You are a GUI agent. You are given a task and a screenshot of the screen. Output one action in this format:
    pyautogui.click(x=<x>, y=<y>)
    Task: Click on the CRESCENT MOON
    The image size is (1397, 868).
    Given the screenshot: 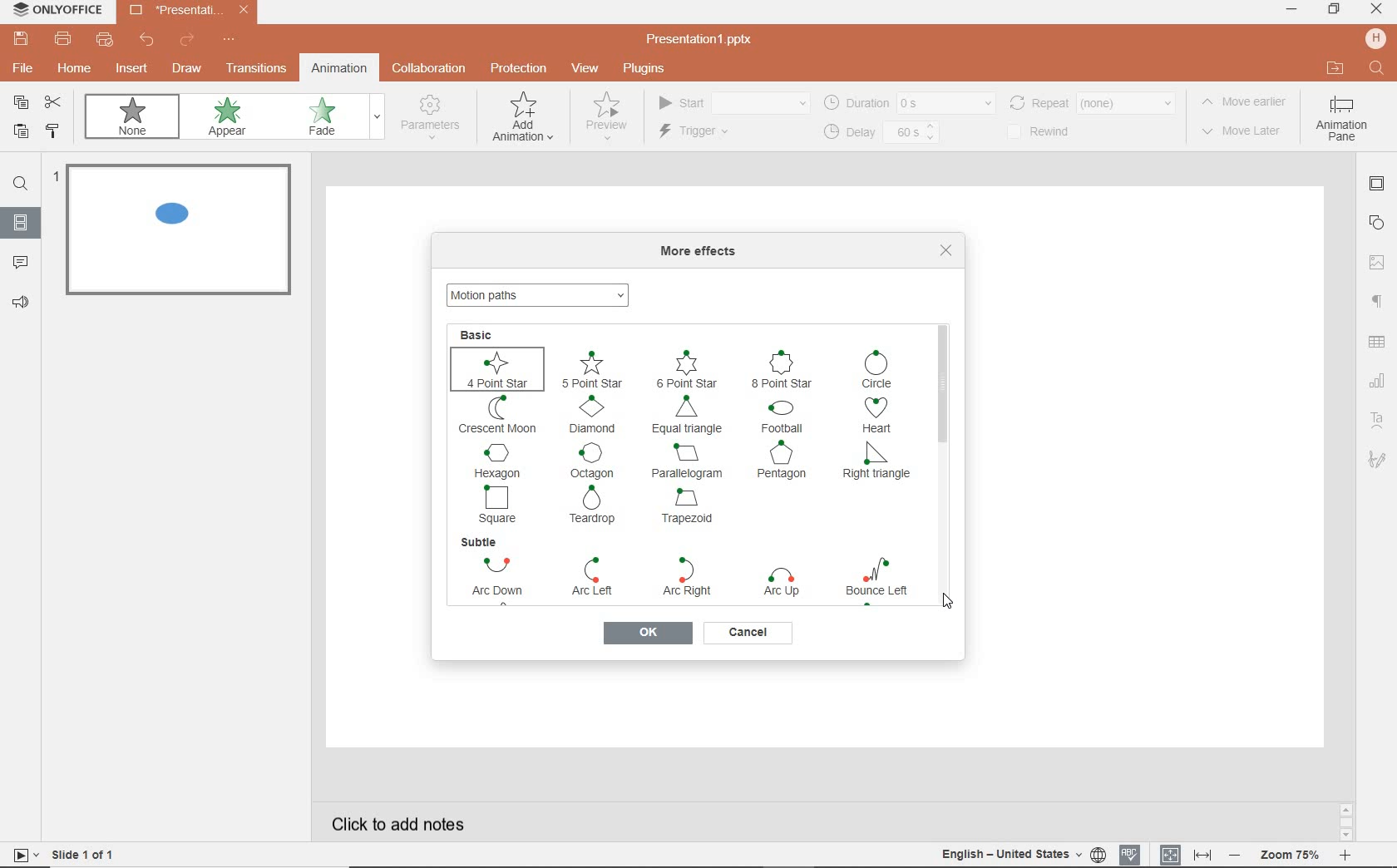 What is the action you would take?
    pyautogui.click(x=498, y=414)
    